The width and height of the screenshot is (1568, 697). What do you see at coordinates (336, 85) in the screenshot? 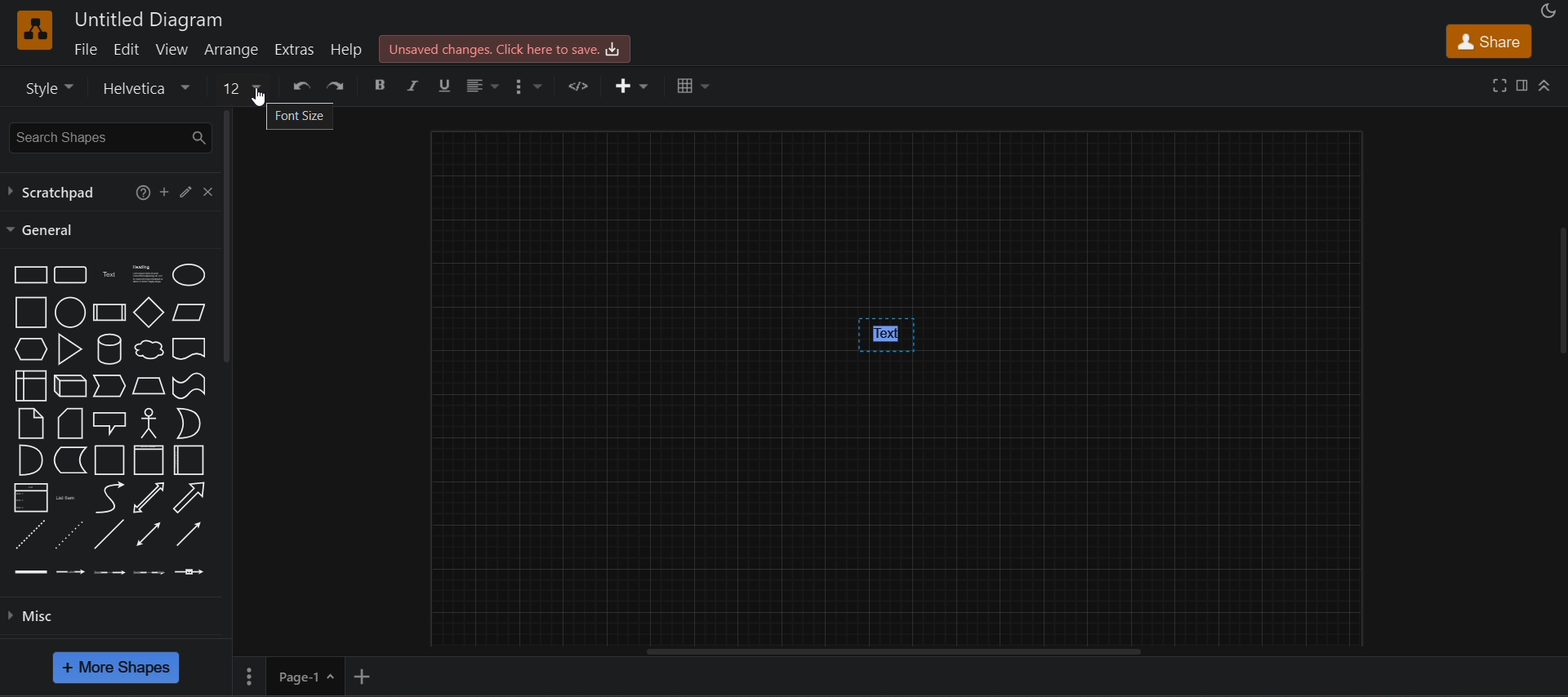
I see `redo` at bounding box center [336, 85].